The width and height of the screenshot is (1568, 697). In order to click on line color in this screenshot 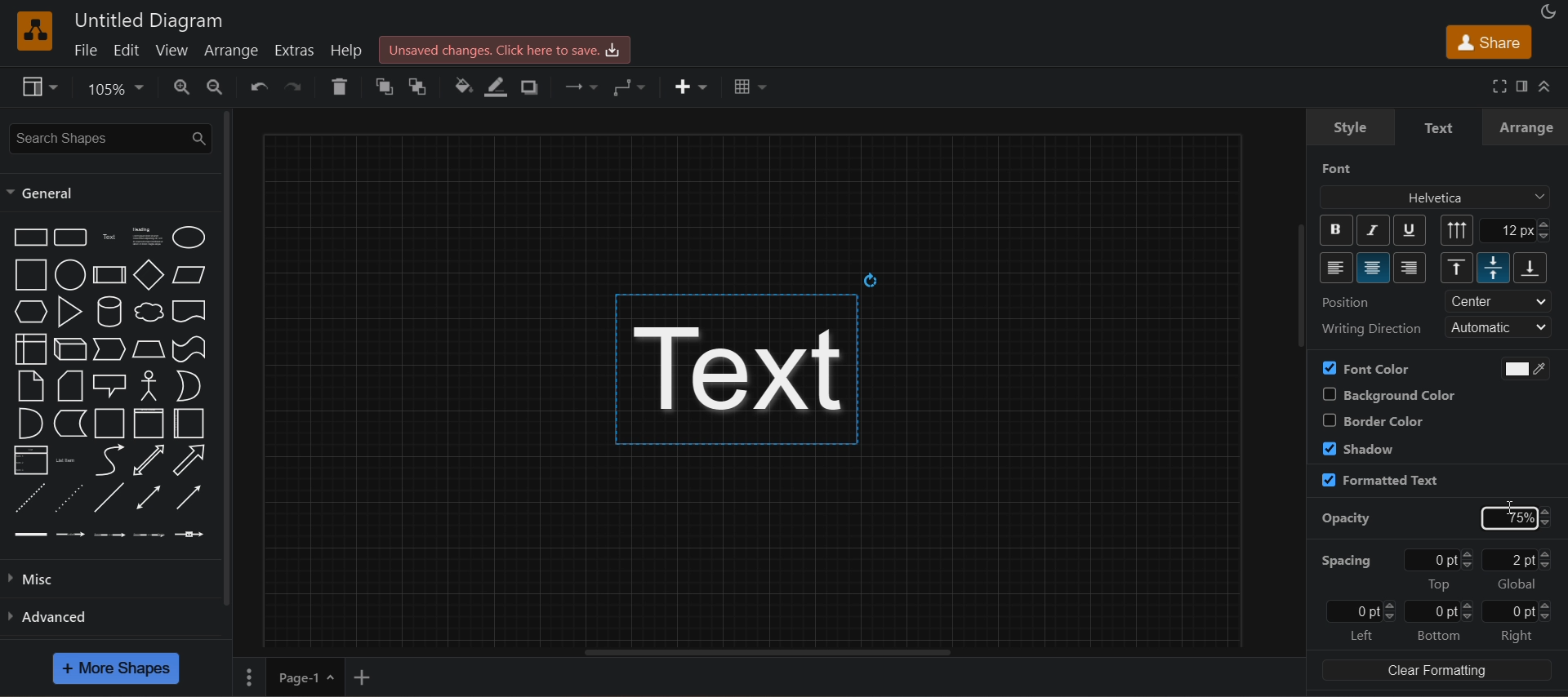, I will do `click(497, 87)`.